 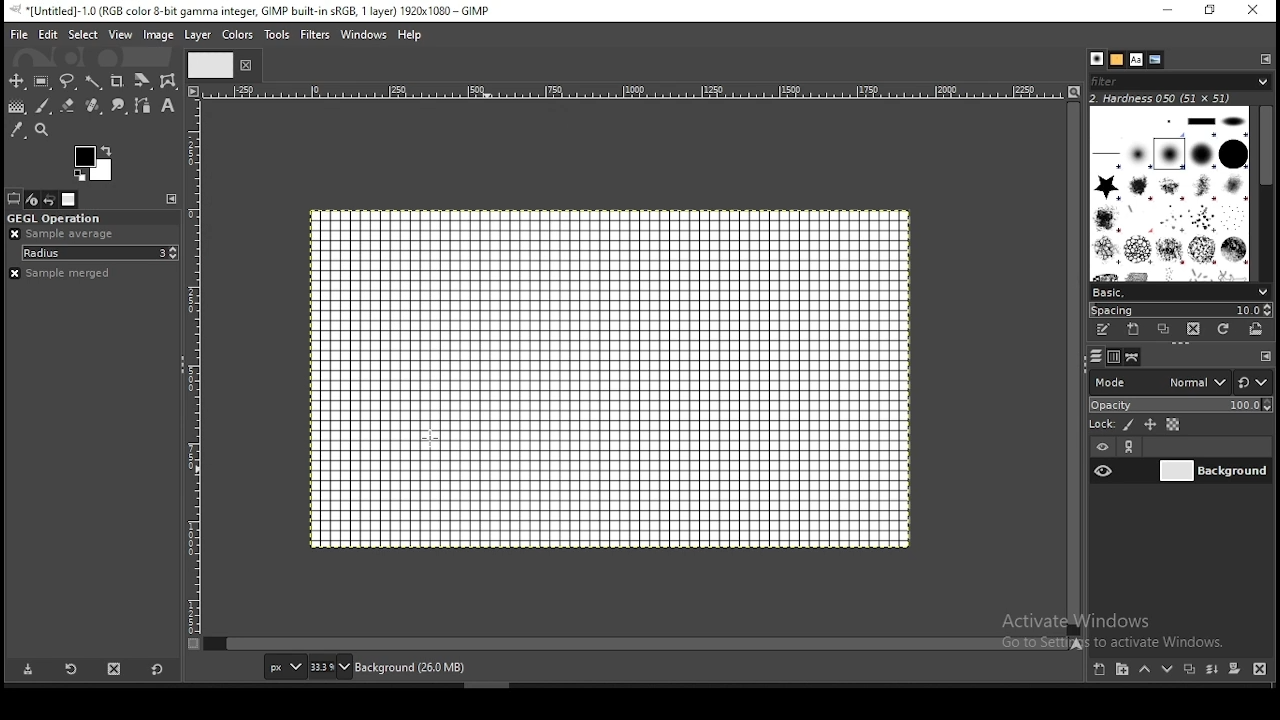 I want to click on move layer on step down, so click(x=1171, y=669).